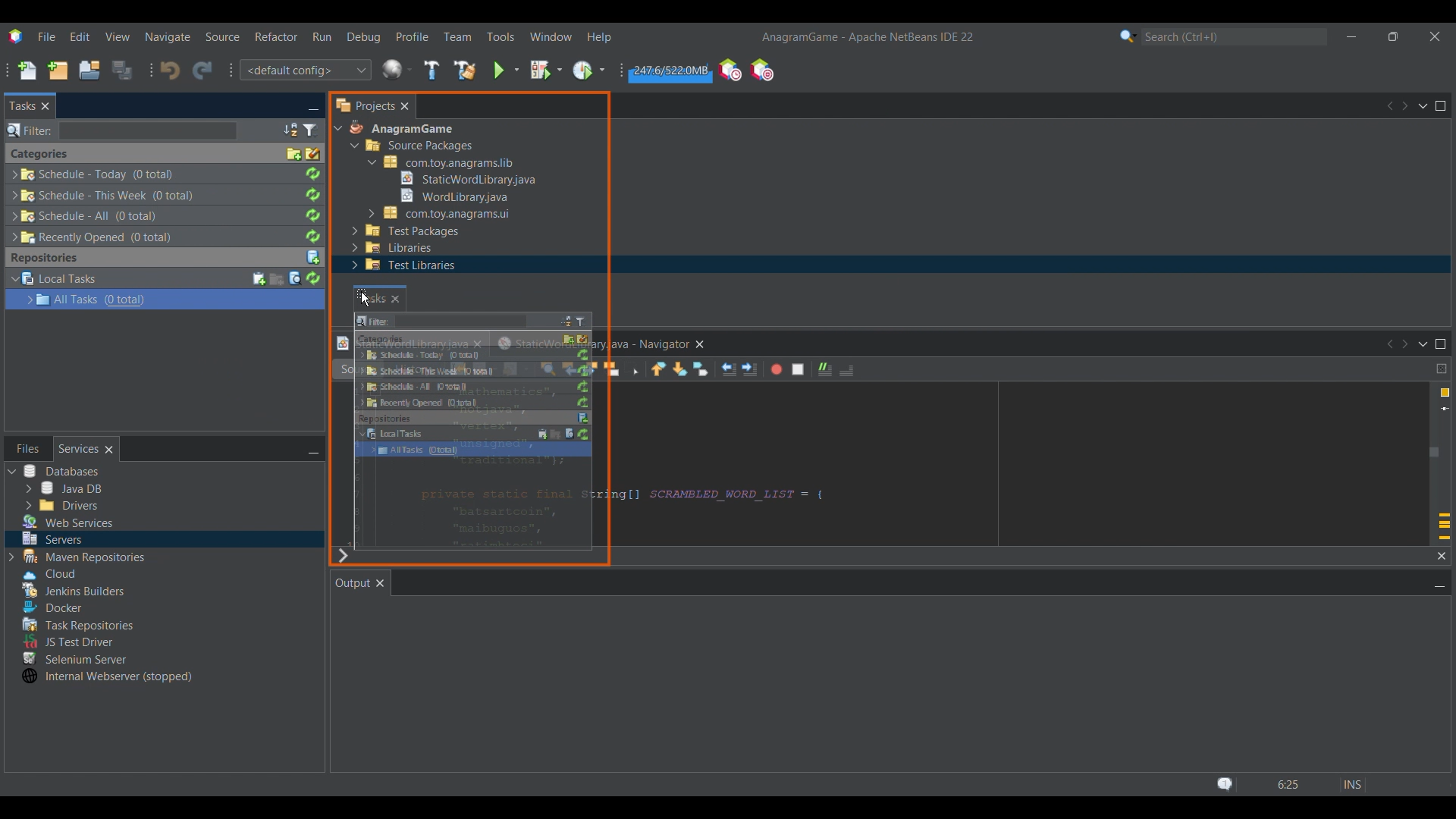 The width and height of the screenshot is (1456, 819). What do you see at coordinates (681, 369) in the screenshot?
I see `Next bookmark` at bounding box center [681, 369].